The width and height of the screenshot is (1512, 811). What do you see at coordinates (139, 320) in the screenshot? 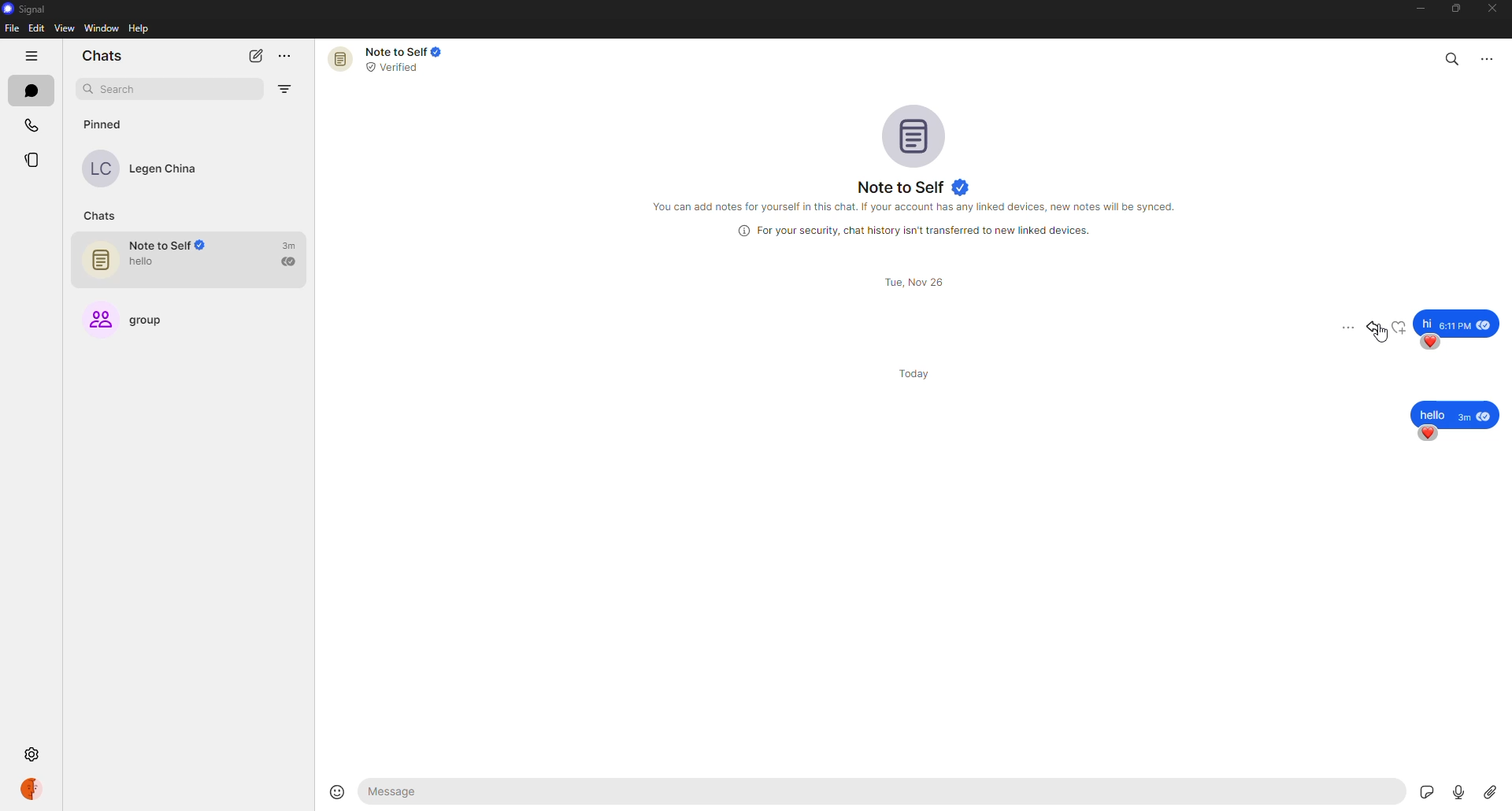
I see `group` at bounding box center [139, 320].